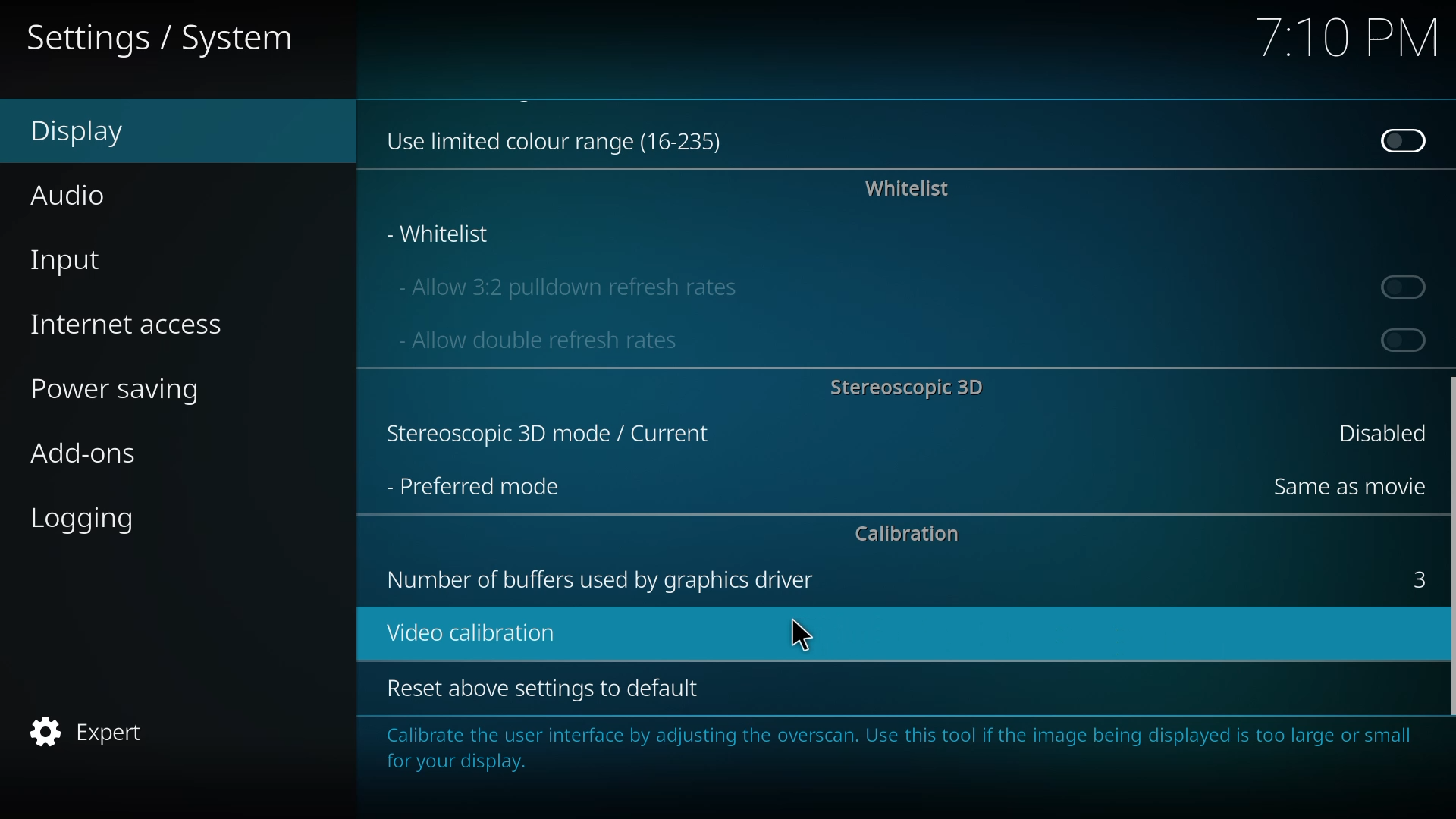  Describe the element at coordinates (561, 137) in the screenshot. I see `use limited color range` at that location.